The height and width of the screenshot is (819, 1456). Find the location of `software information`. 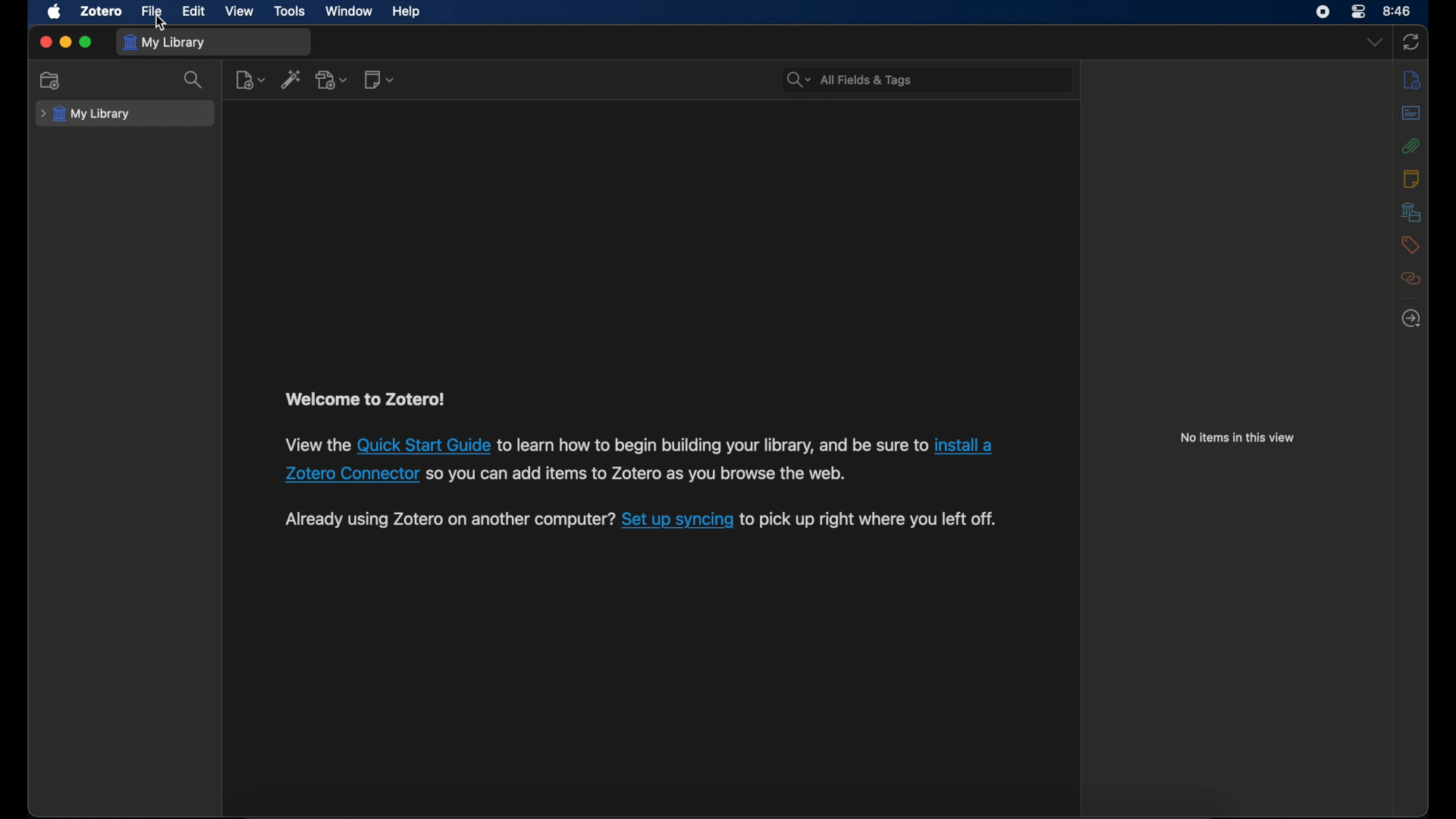

software information is located at coordinates (712, 446).